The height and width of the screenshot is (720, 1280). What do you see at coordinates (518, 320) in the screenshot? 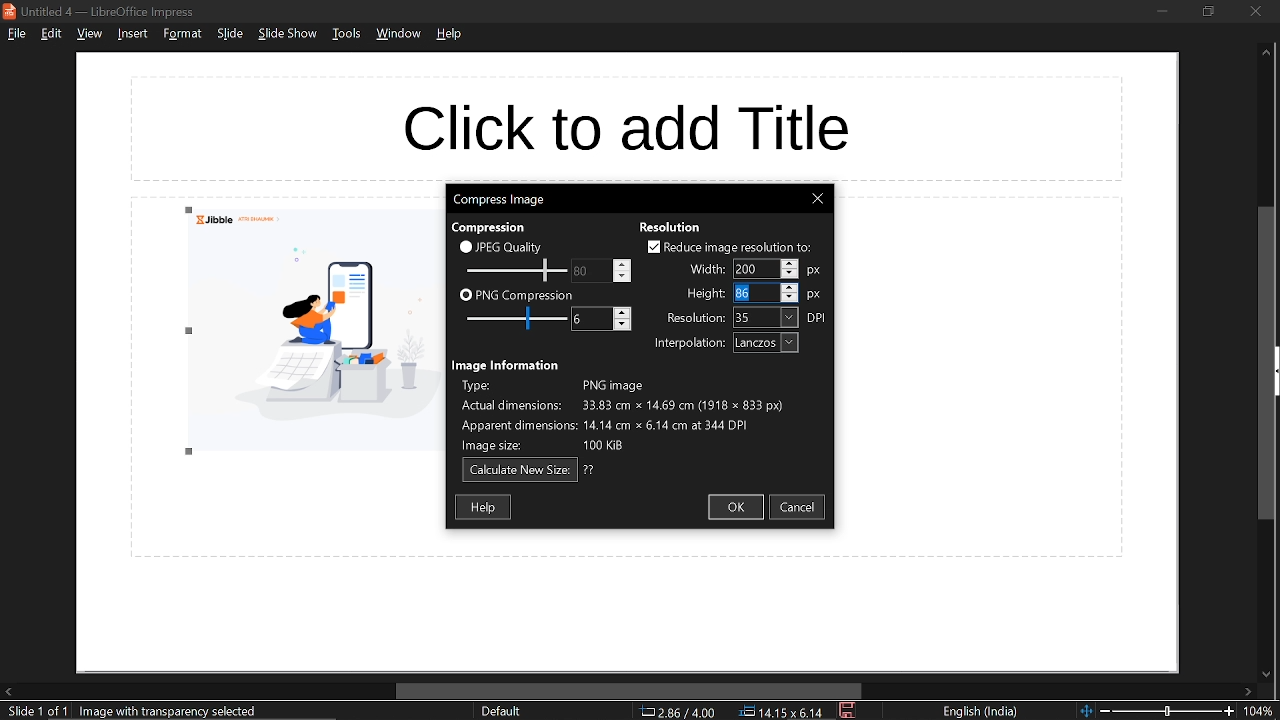
I see `JPEG quality scale` at bounding box center [518, 320].